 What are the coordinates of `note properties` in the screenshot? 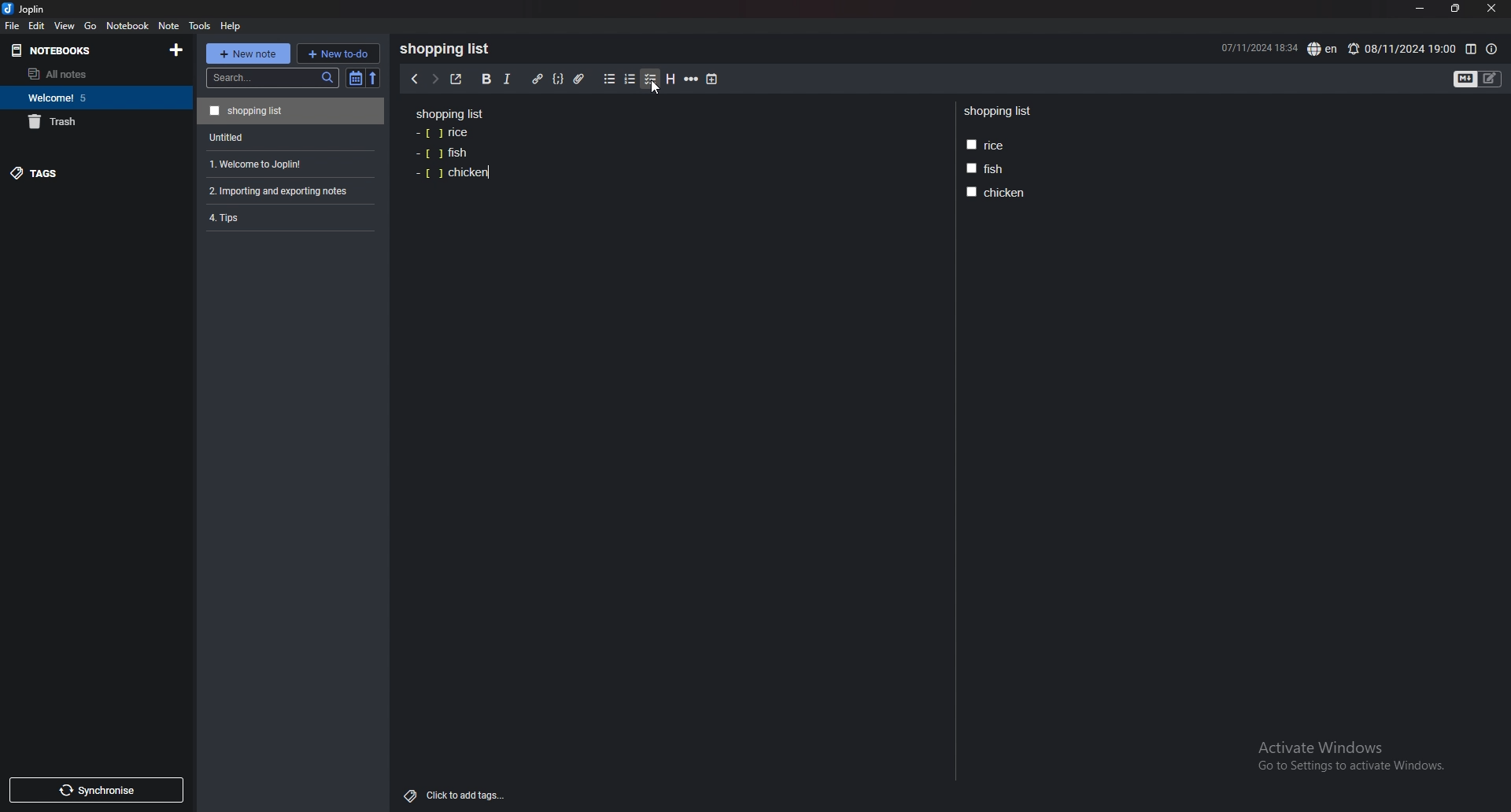 It's located at (1491, 50).